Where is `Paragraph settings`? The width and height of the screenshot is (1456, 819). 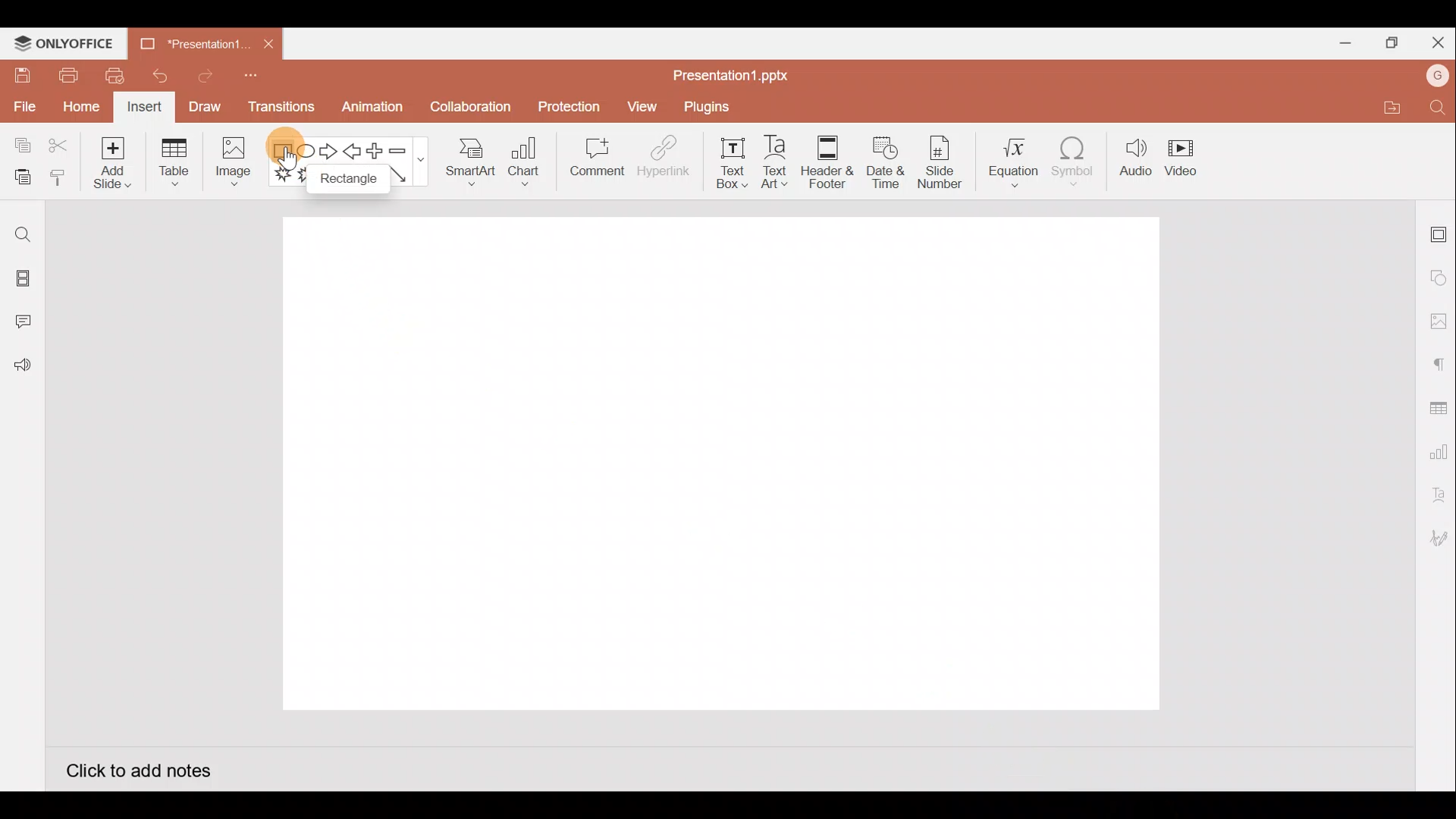 Paragraph settings is located at coordinates (1438, 362).